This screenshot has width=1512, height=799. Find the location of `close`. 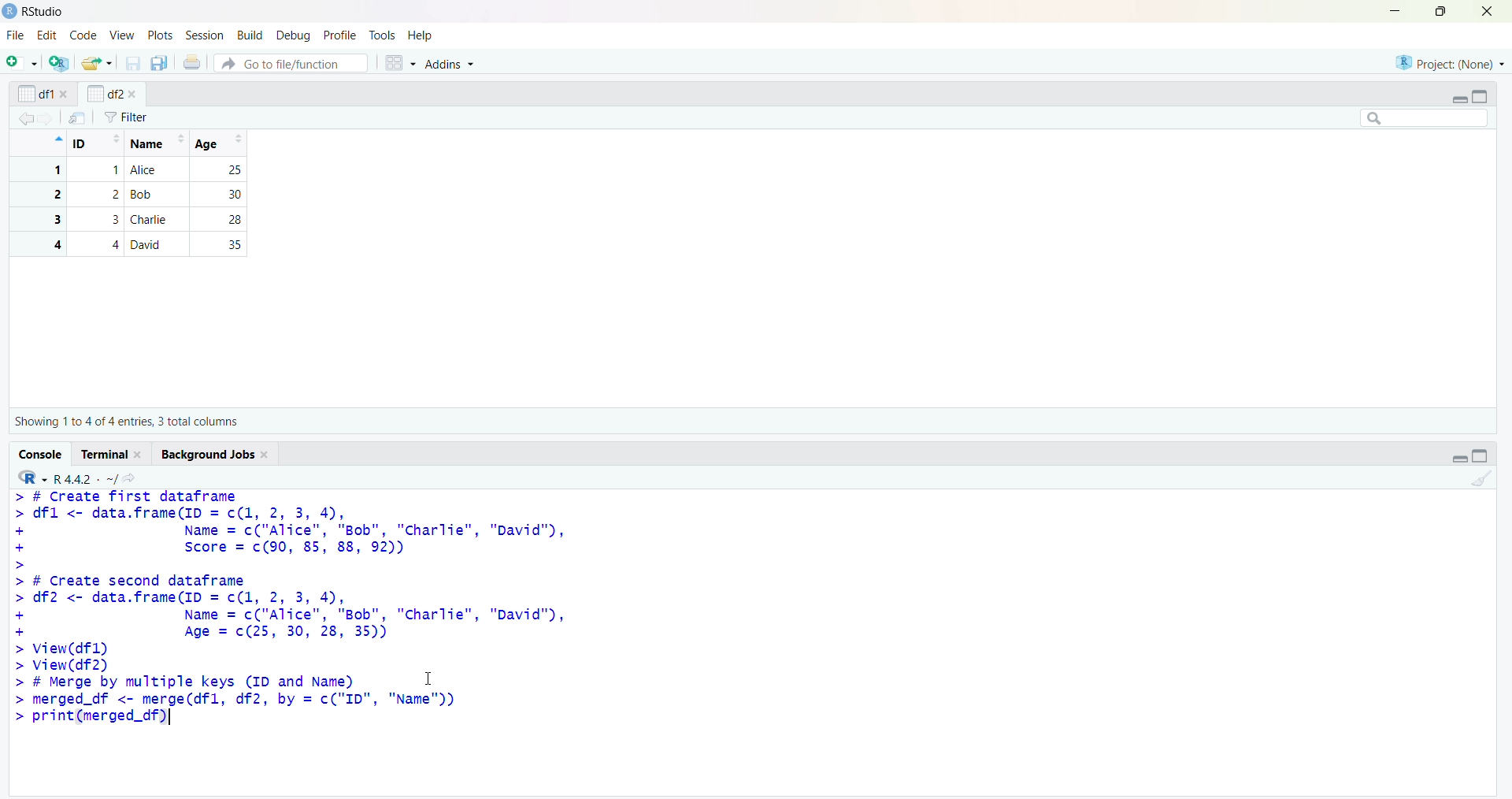

close is located at coordinates (267, 455).